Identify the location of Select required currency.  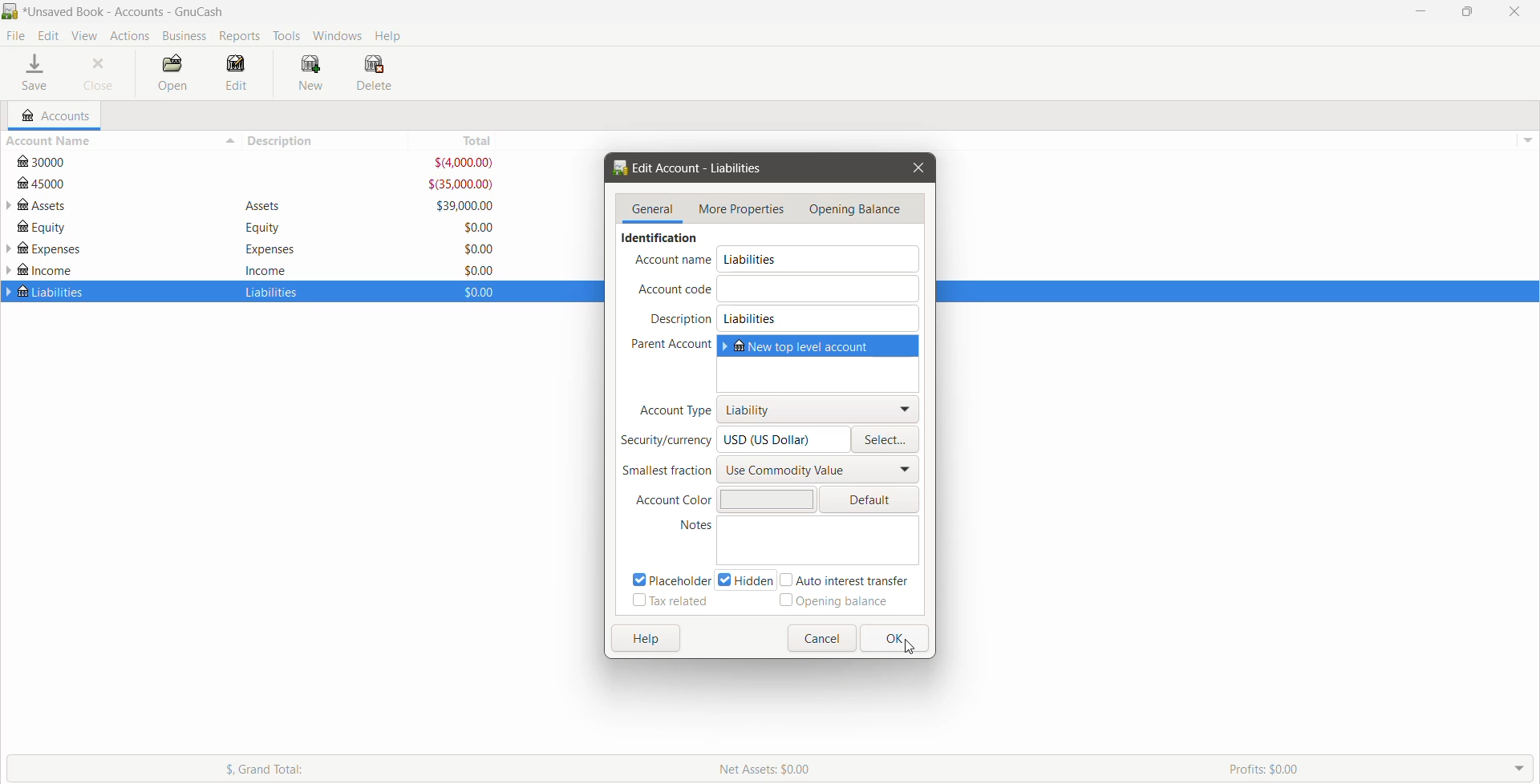
(887, 439).